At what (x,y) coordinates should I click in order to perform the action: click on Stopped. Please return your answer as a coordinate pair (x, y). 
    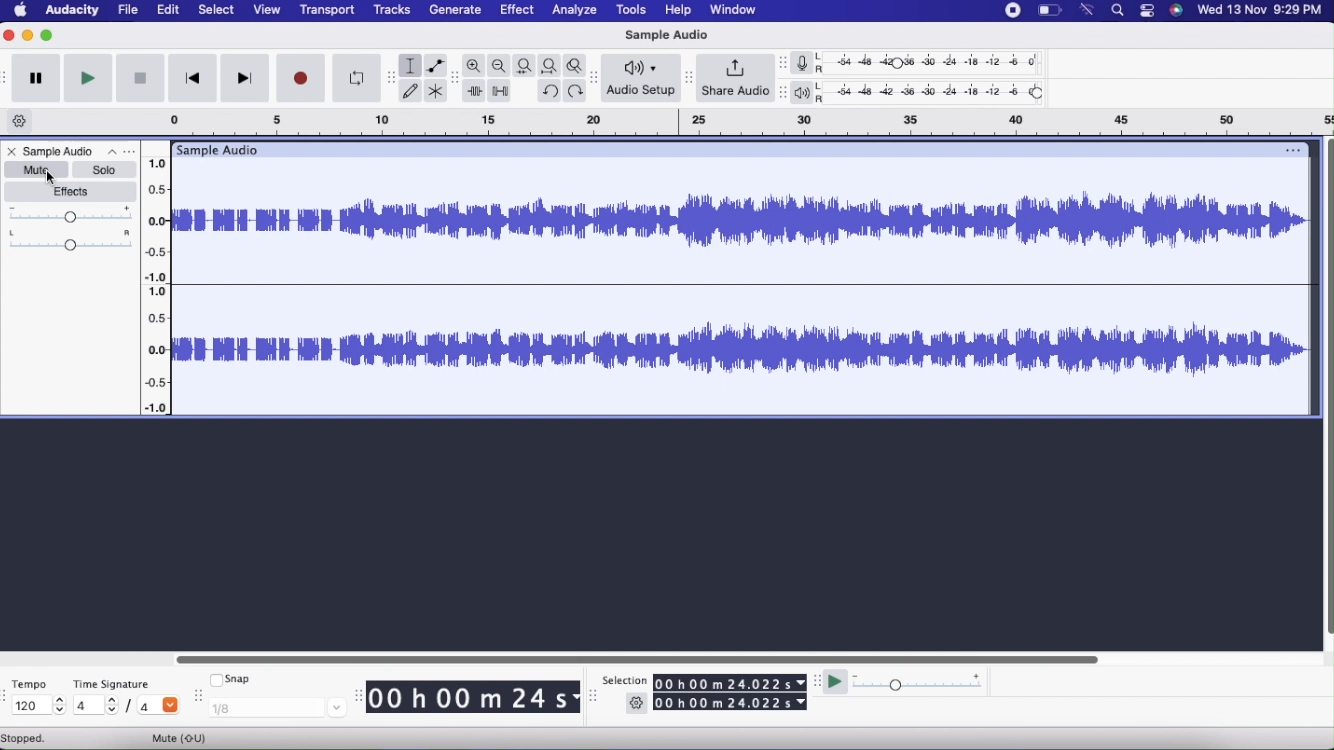
    Looking at the image, I should click on (31, 738).